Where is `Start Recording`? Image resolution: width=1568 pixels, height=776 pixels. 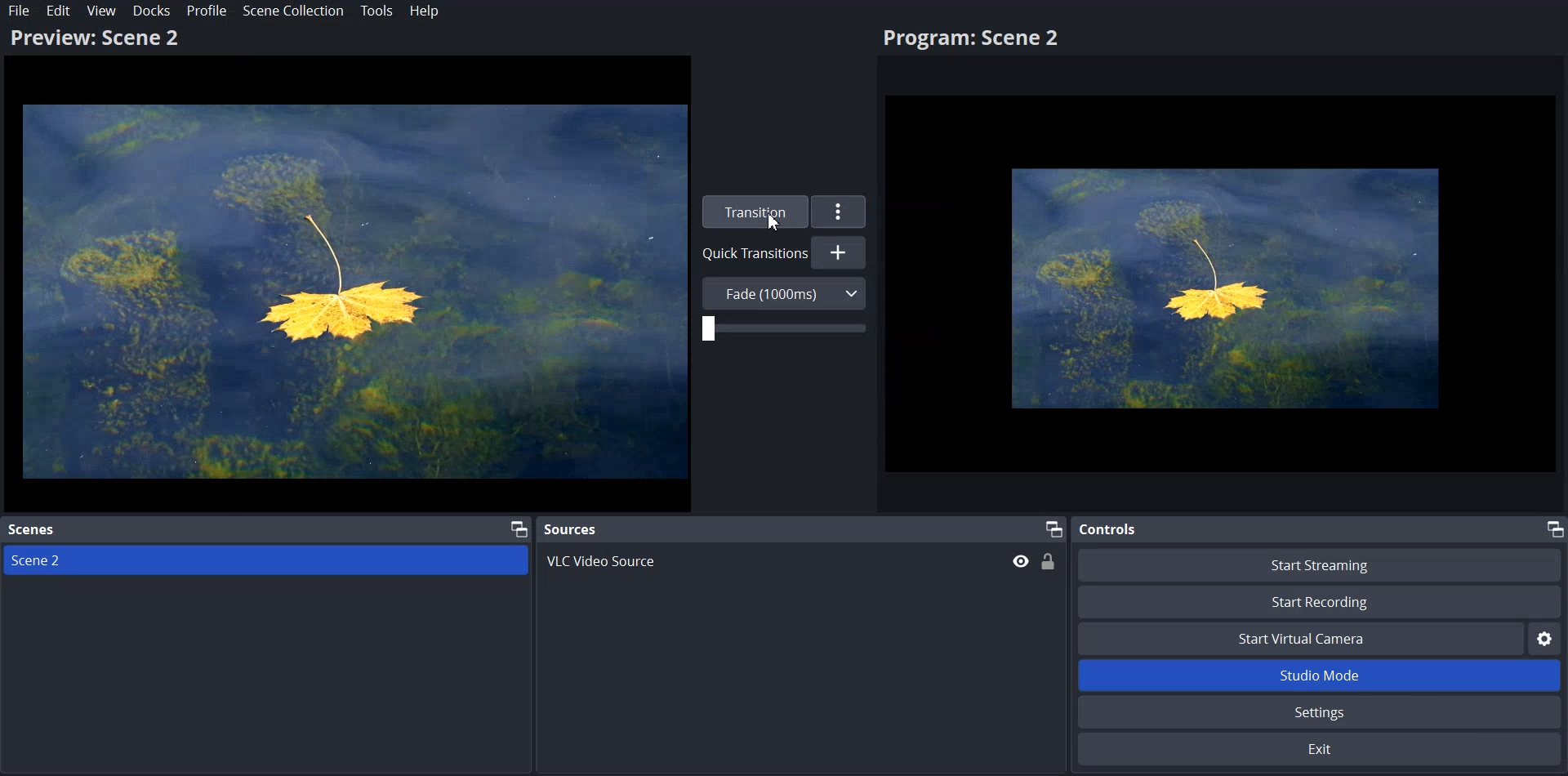
Start Recording is located at coordinates (1320, 600).